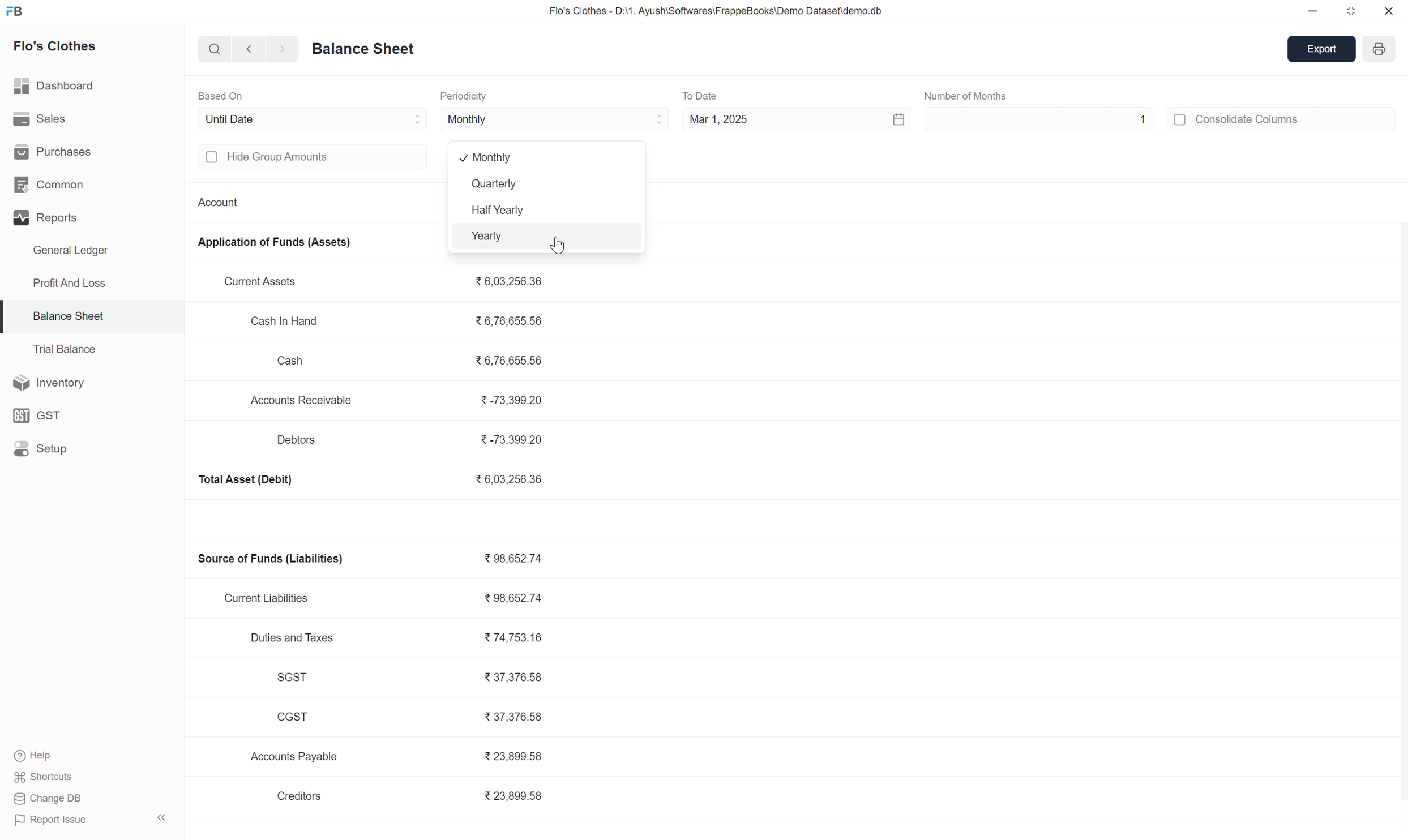 This screenshot has height=840, width=1408. Describe the element at coordinates (45, 755) in the screenshot. I see ` Help` at that location.